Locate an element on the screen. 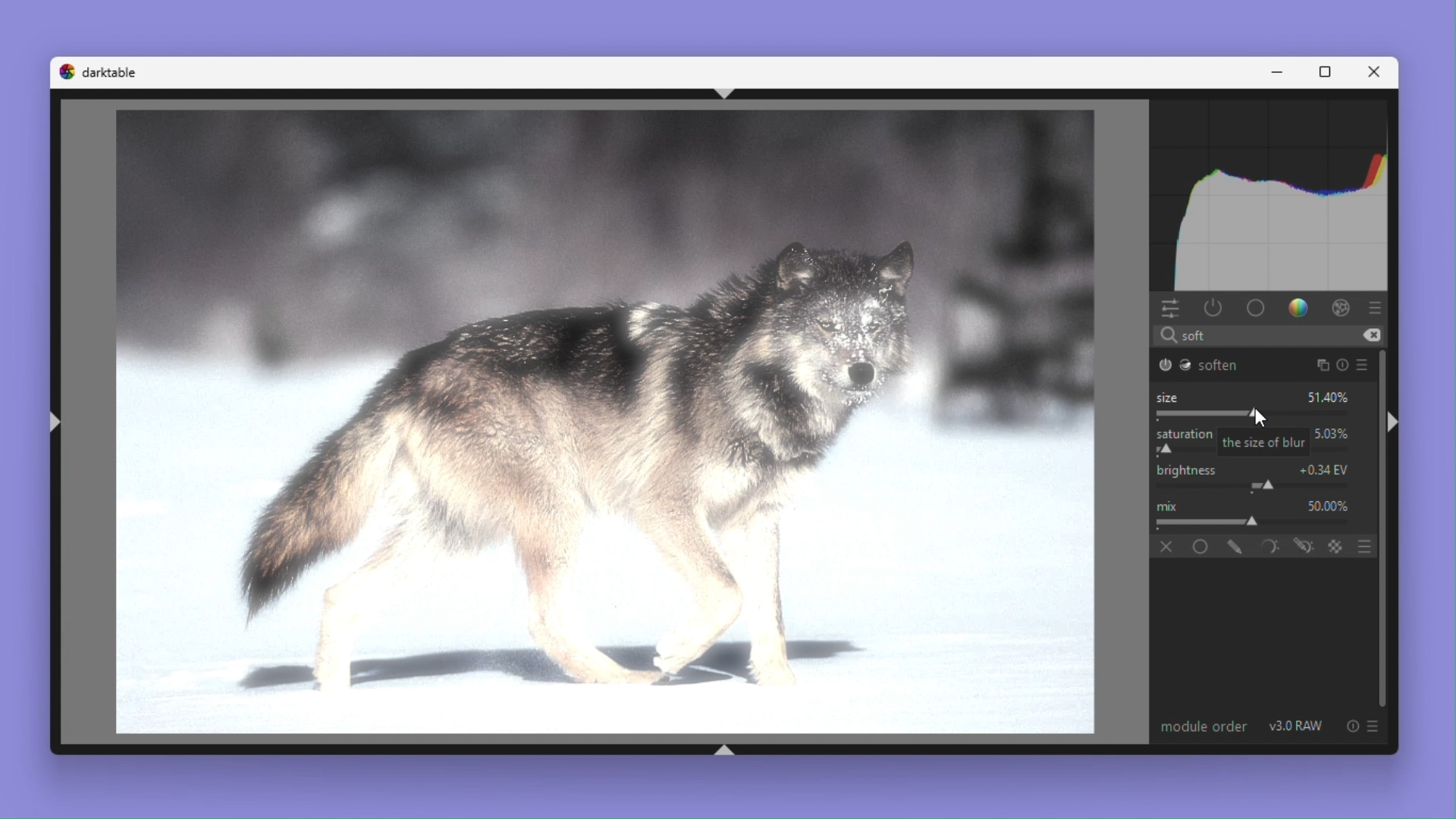 This screenshot has height=819, width=1456. Colour  is located at coordinates (1301, 309).